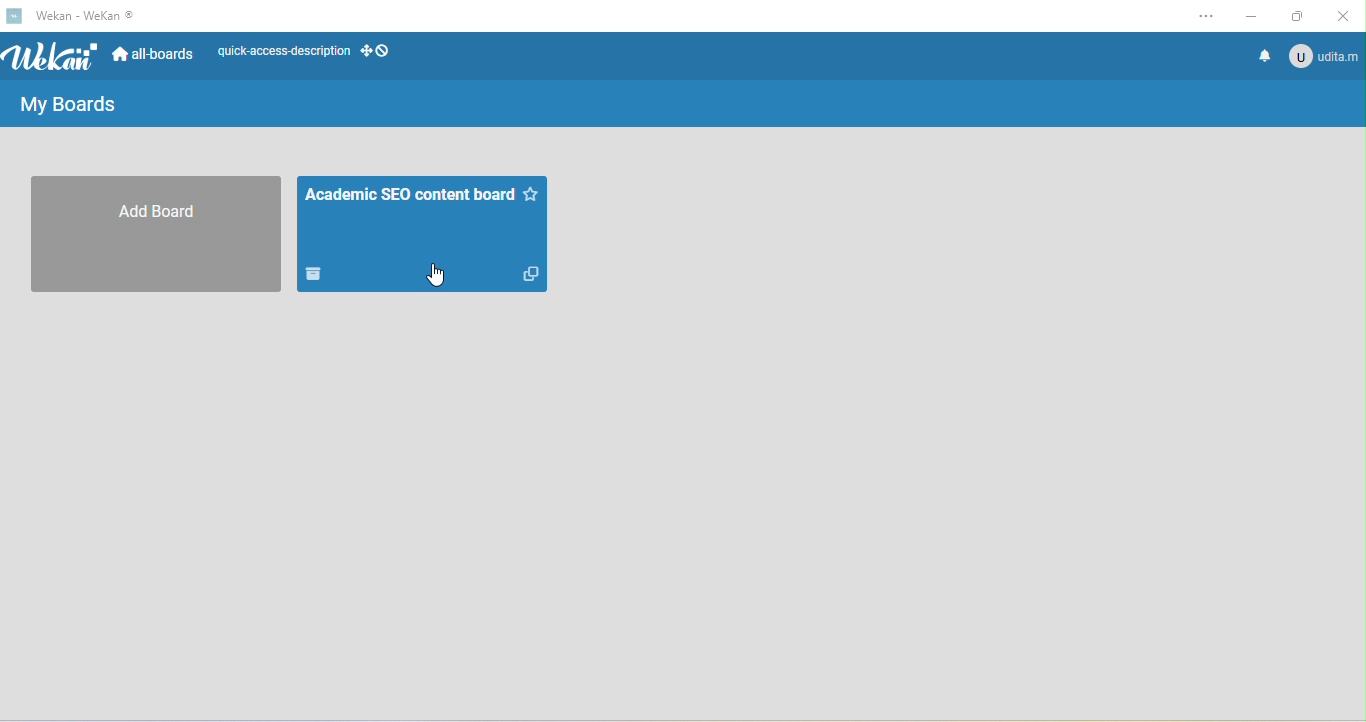 The width and height of the screenshot is (1366, 722). Describe the element at coordinates (435, 275) in the screenshot. I see `cursor ` at that location.